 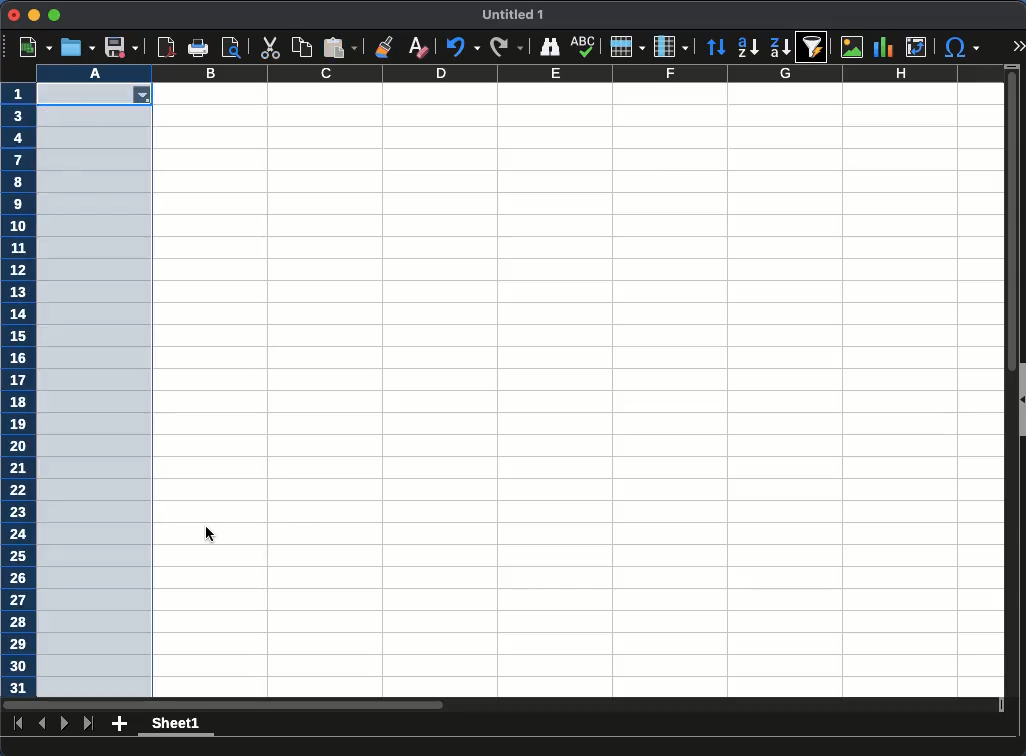 I want to click on next sheet, so click(x=63, y=723).